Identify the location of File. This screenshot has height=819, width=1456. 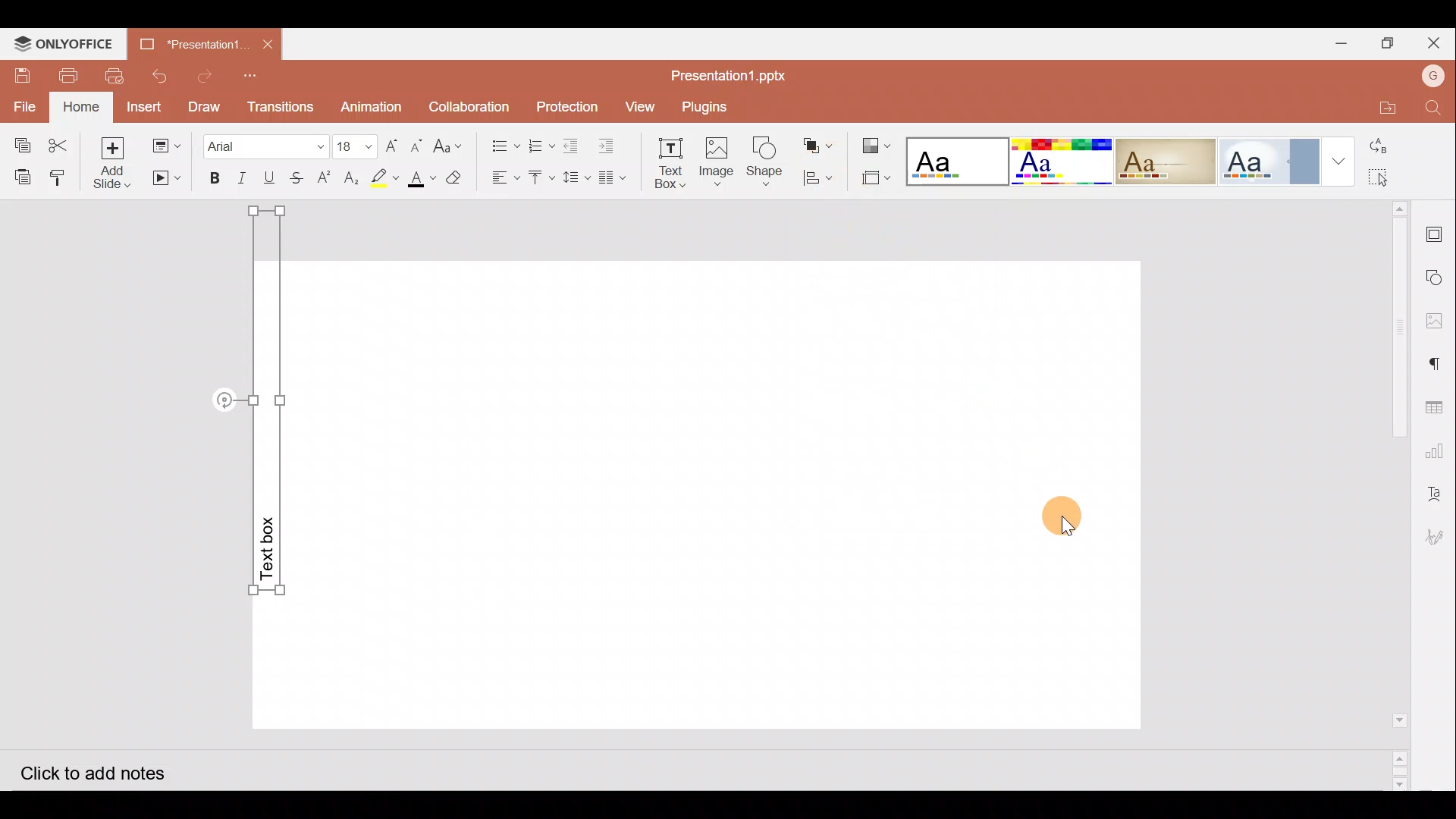
(26, 105).